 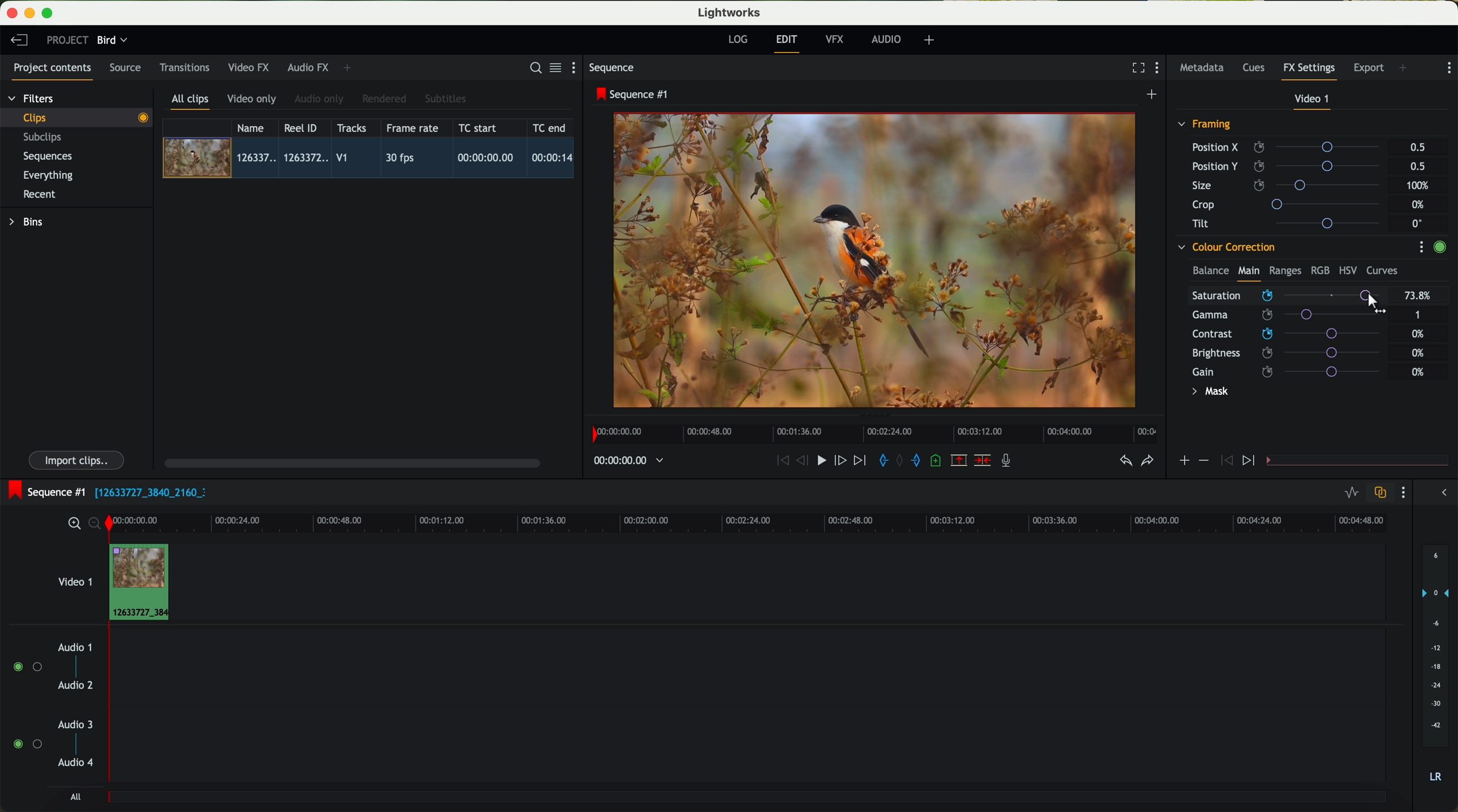 What do you see at coordinates (1418, 316) in the screenshot?
I see `1` at bounding box center [1418, 316].